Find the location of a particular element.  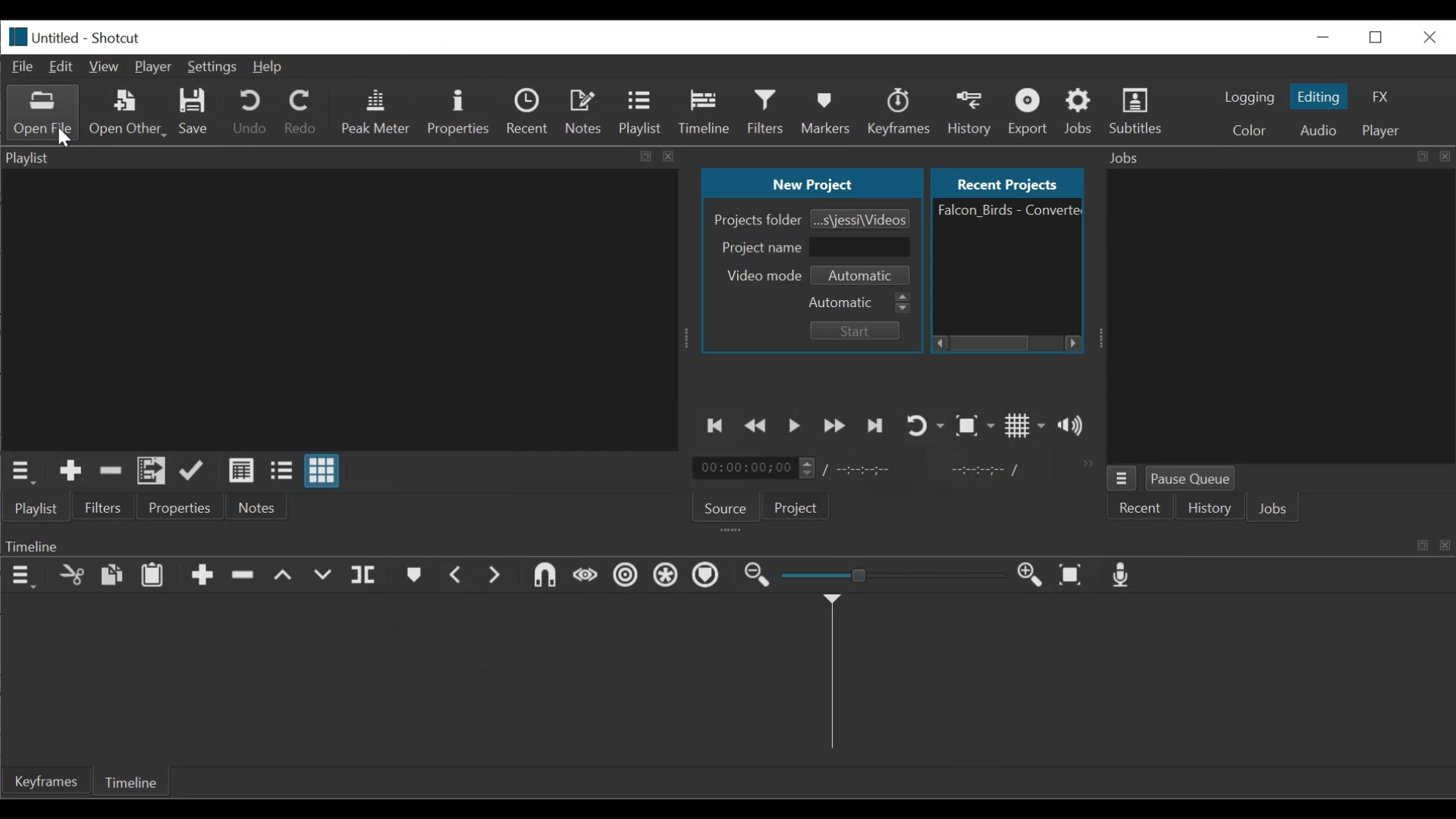

Zoom timeline in is located at coordinates (1028, 576).